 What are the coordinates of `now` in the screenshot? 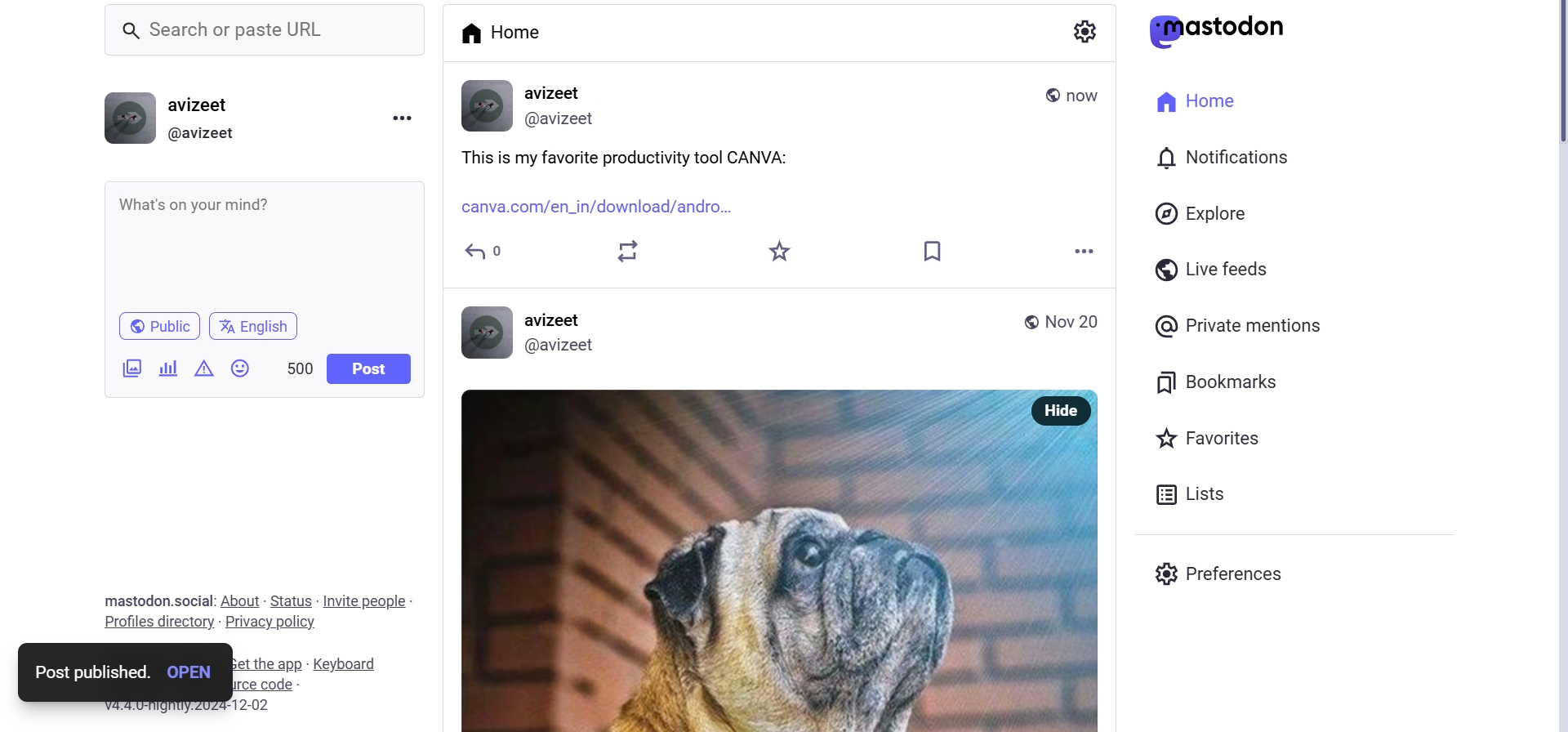 It's located at (1088, 91).